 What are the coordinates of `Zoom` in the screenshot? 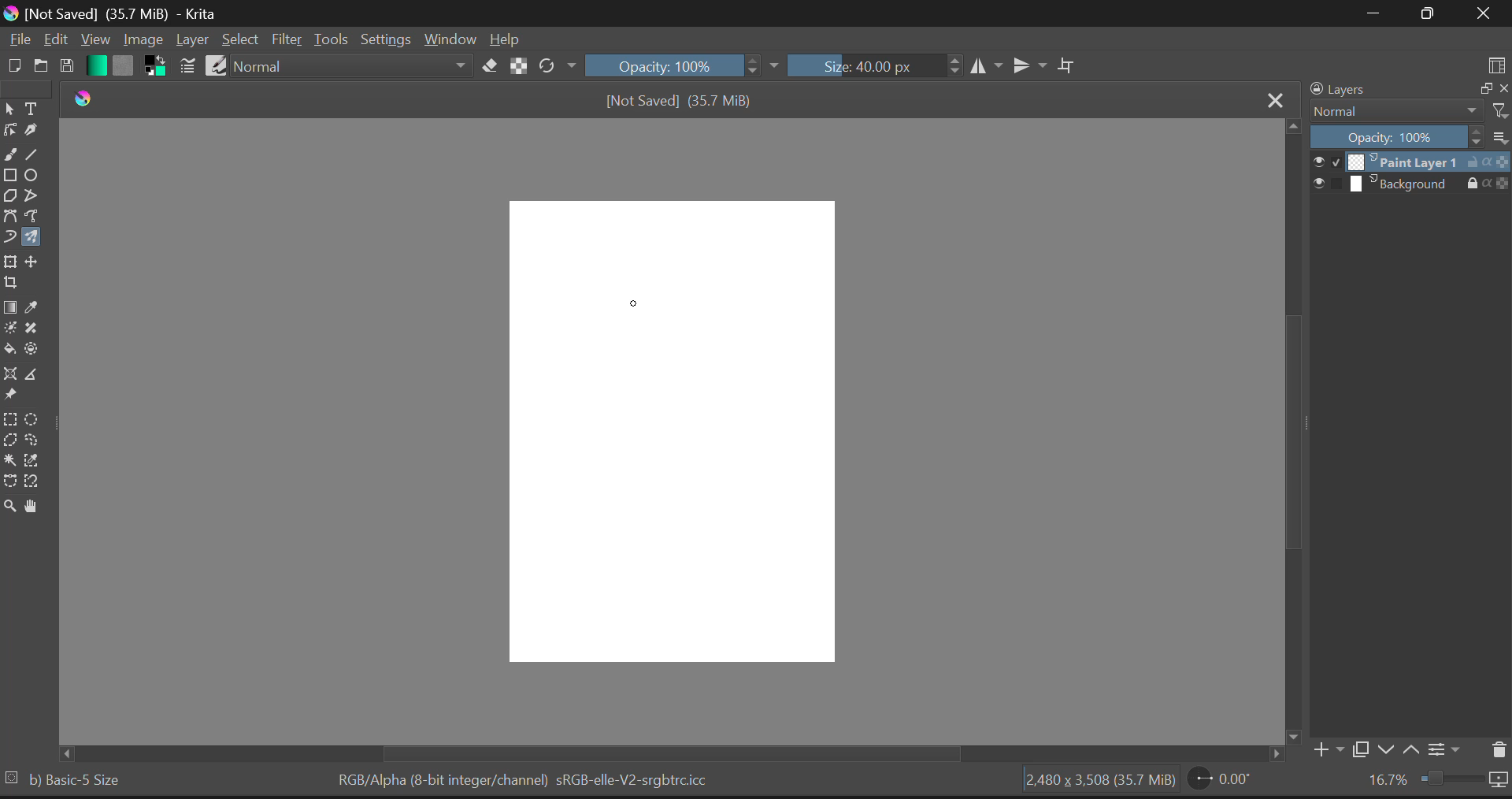 It's located at (10, 508).